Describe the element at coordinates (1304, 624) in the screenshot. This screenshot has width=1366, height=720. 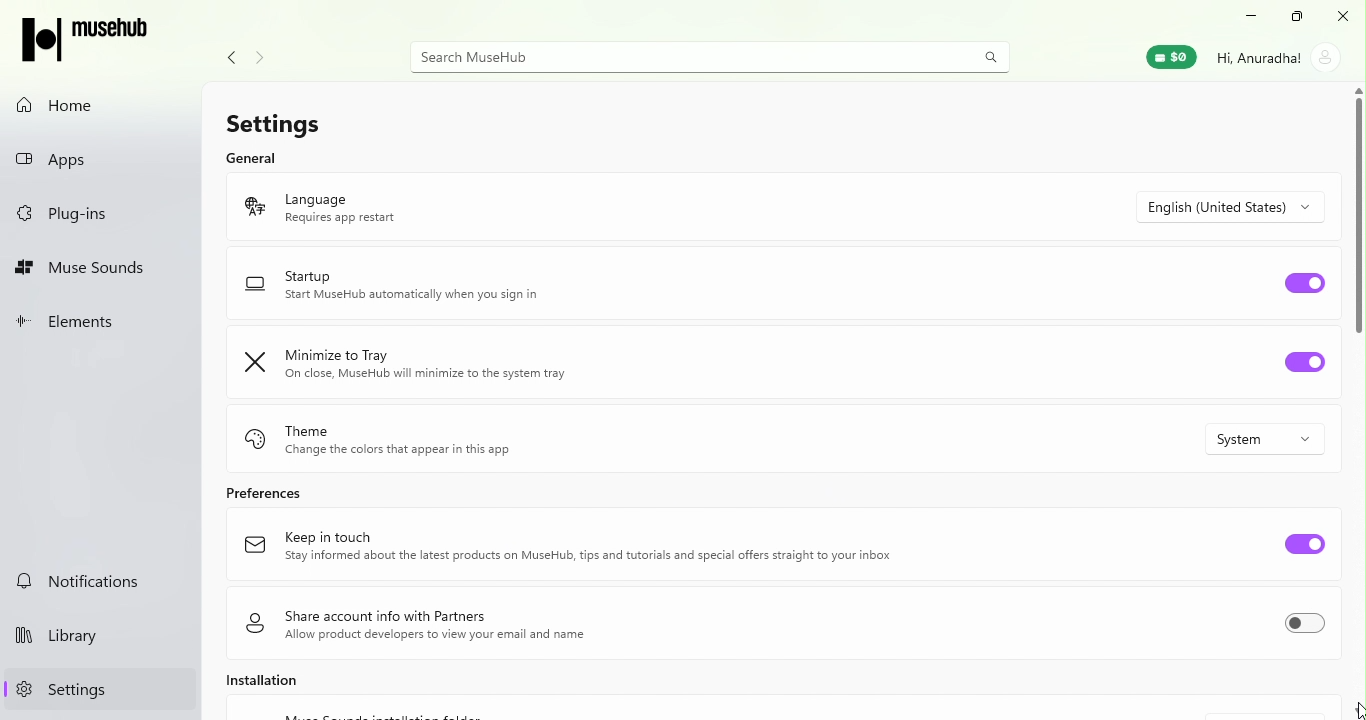
I see `Toggle` at that location.